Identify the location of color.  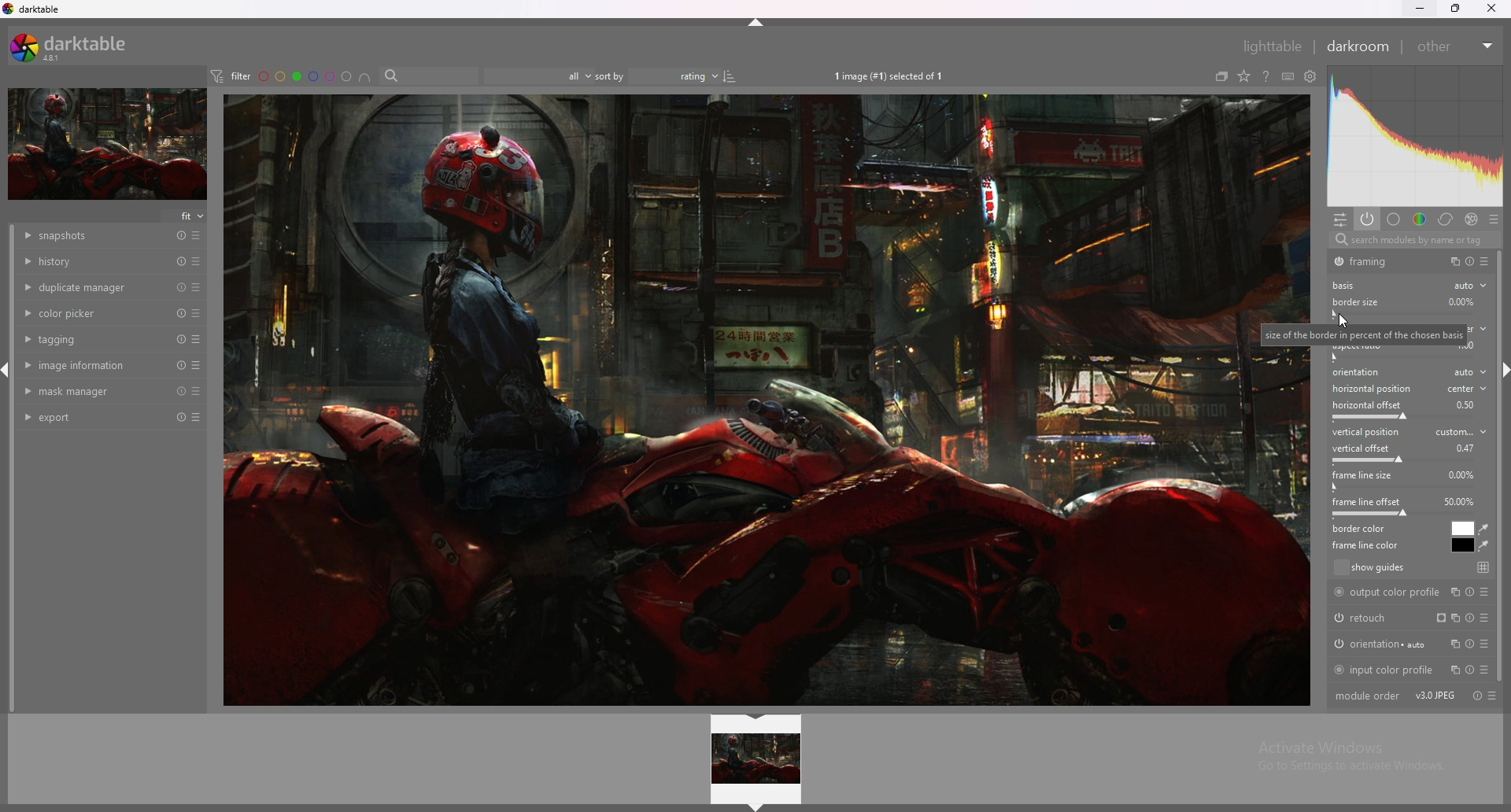
(1420, 218).